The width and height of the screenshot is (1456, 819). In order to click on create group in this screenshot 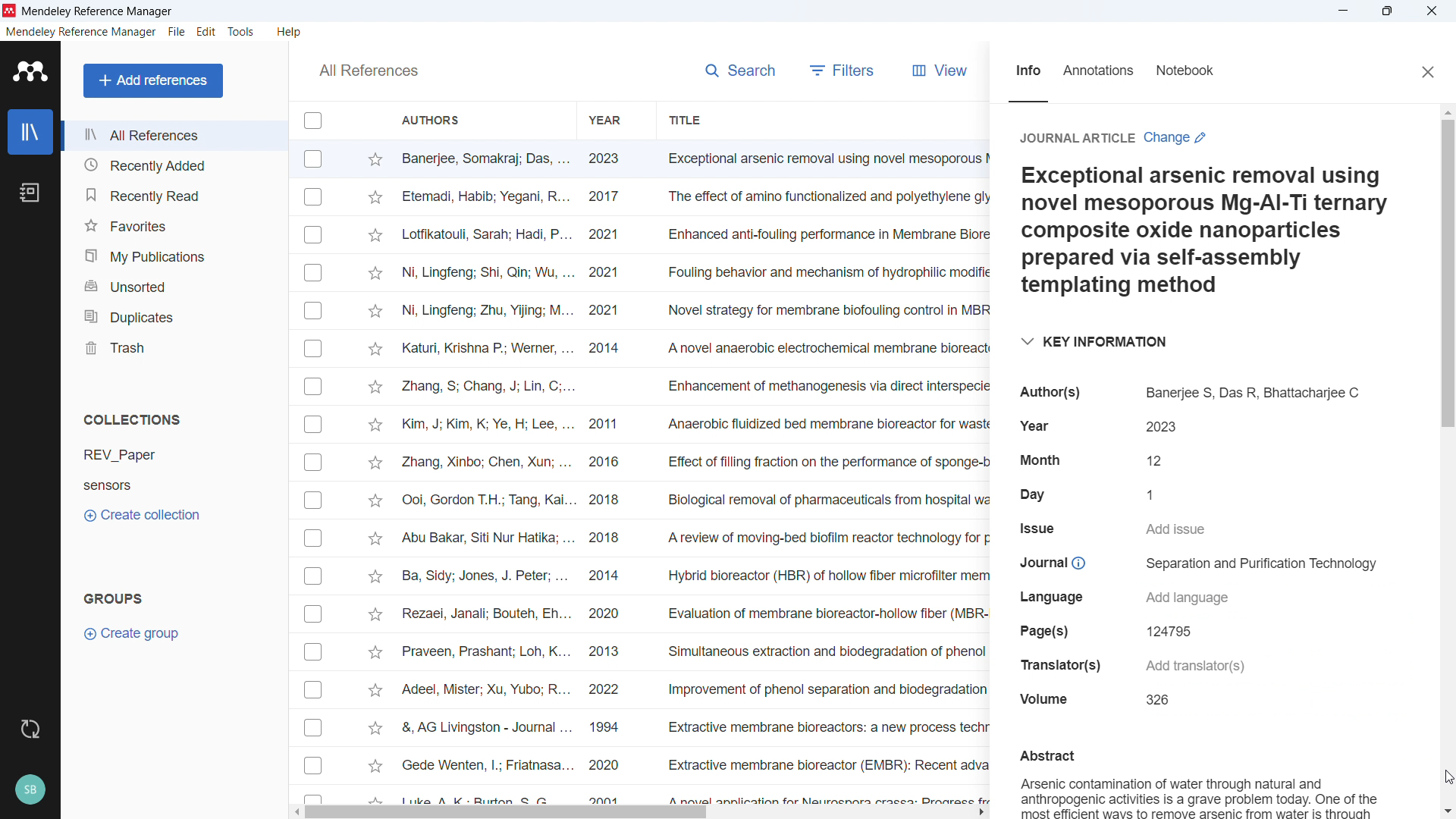, I will do `click(138, 633)`.